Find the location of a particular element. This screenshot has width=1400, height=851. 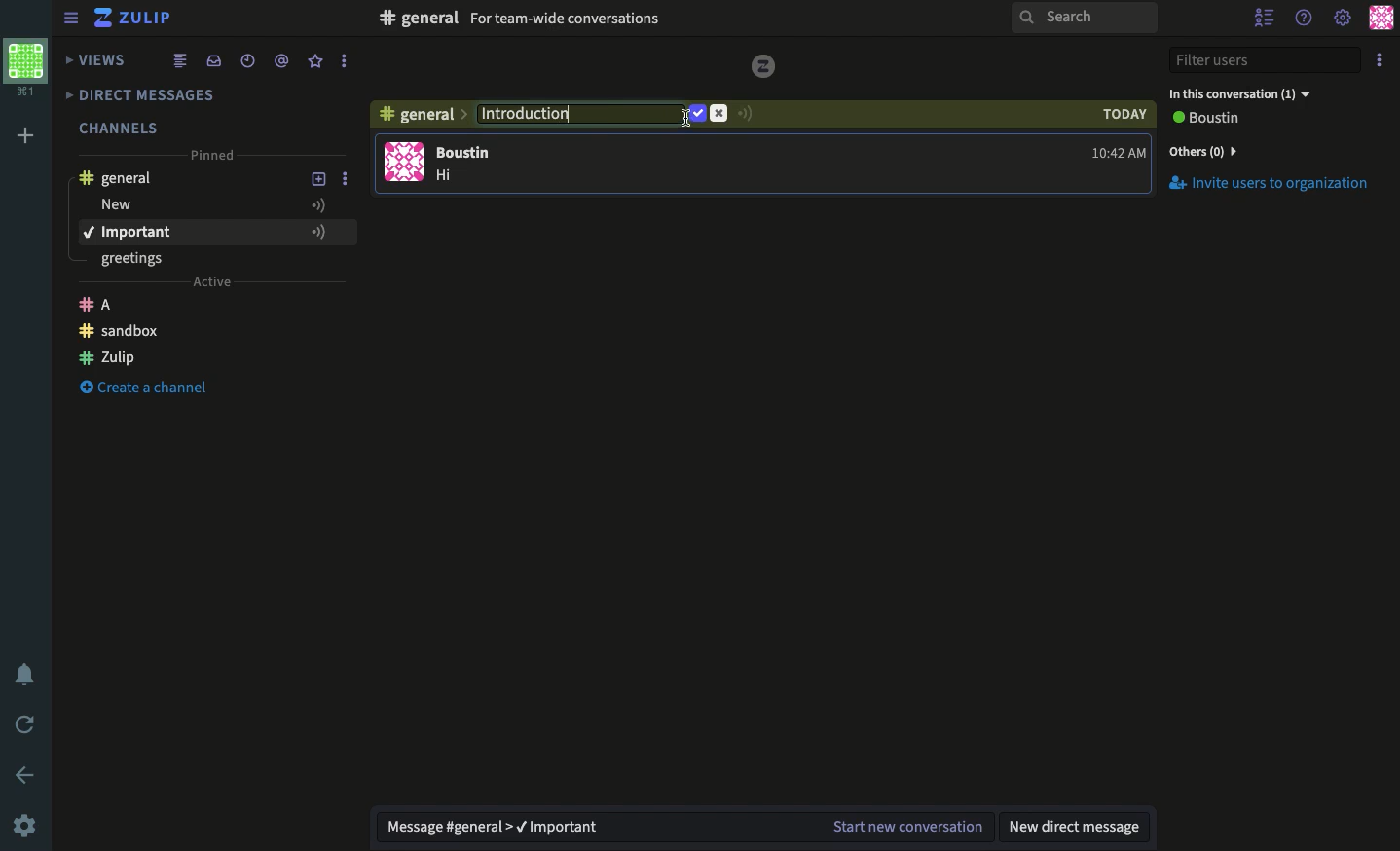

Zulip is located at coordinates (177, 360).